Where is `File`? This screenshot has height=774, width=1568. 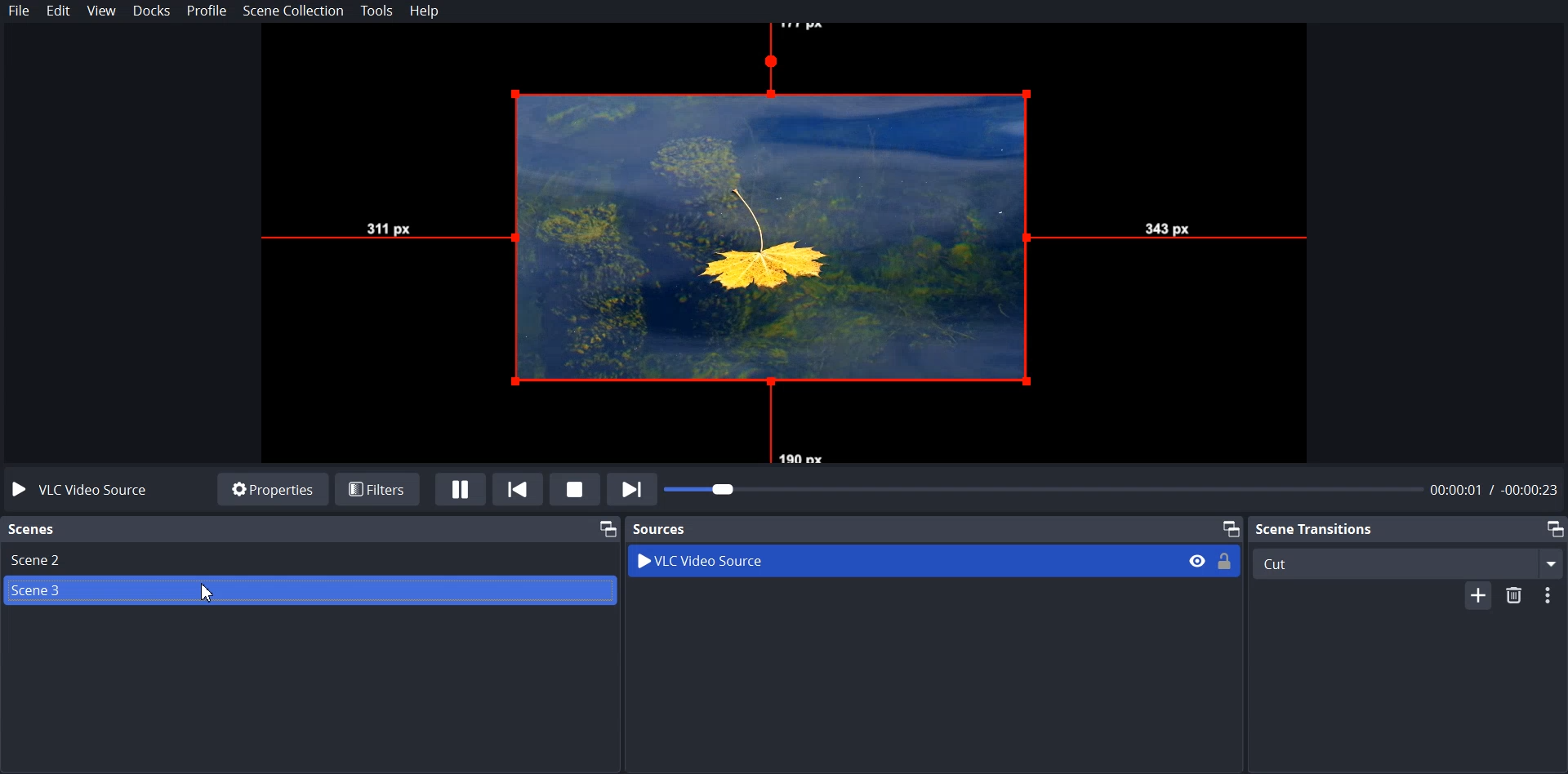
File is located at coordinates (20, 11).